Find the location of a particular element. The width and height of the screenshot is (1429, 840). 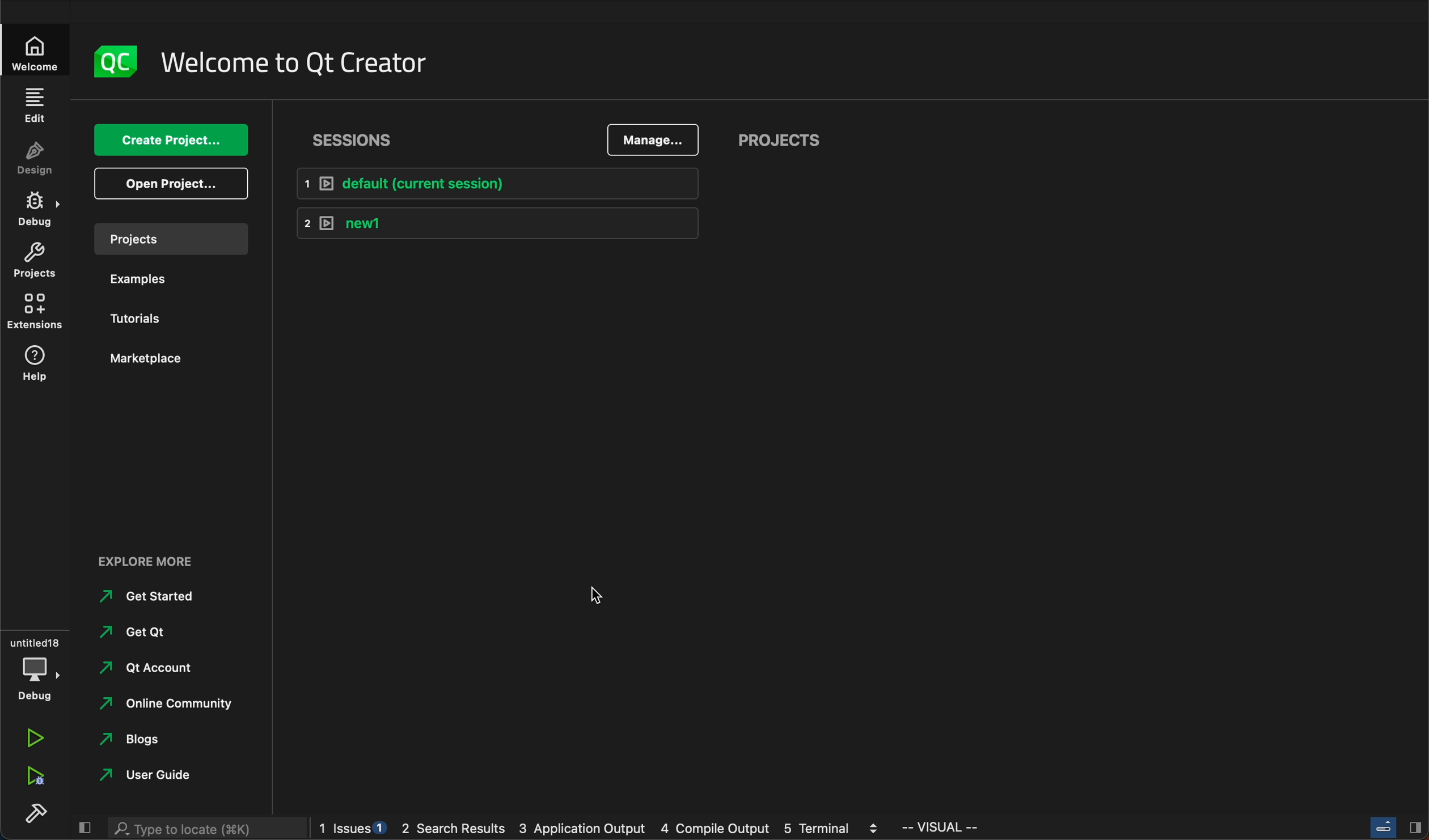

tutorials is located at coordinates (141, 319).